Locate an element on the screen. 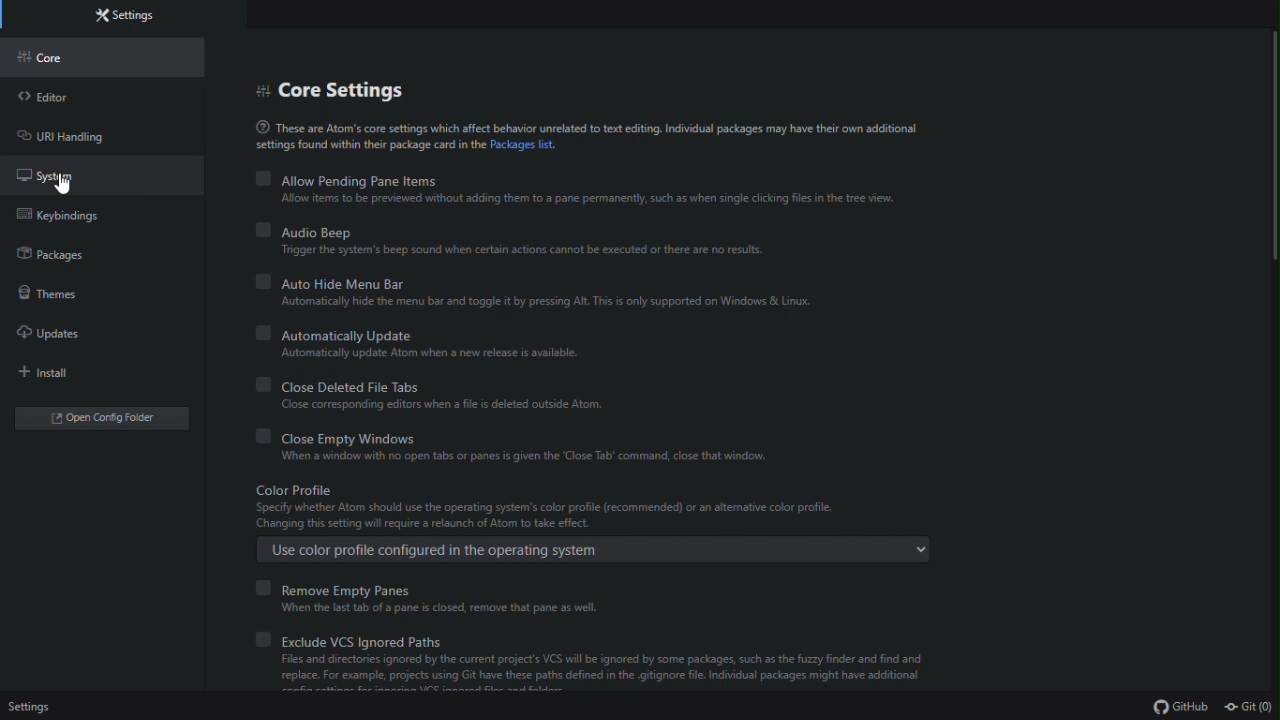 Image resolution: width=1280 pixels, height=720 pixels. Core settings is located at coordinates (341, 87).